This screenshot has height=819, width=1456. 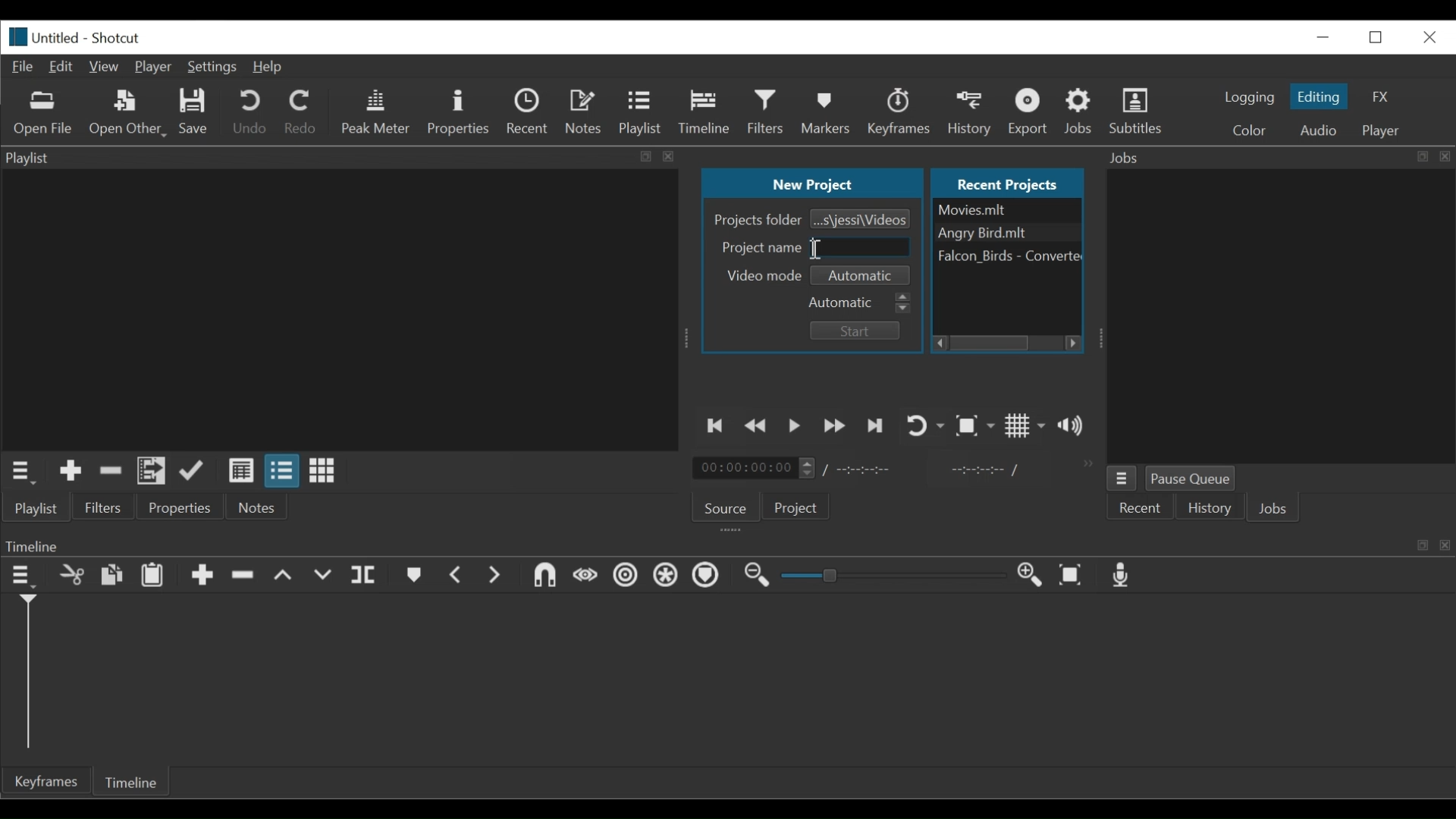 What do you see at coordinates (42, 114) in the screenshot?
I see `Open File` at bounding box center [42, 114].